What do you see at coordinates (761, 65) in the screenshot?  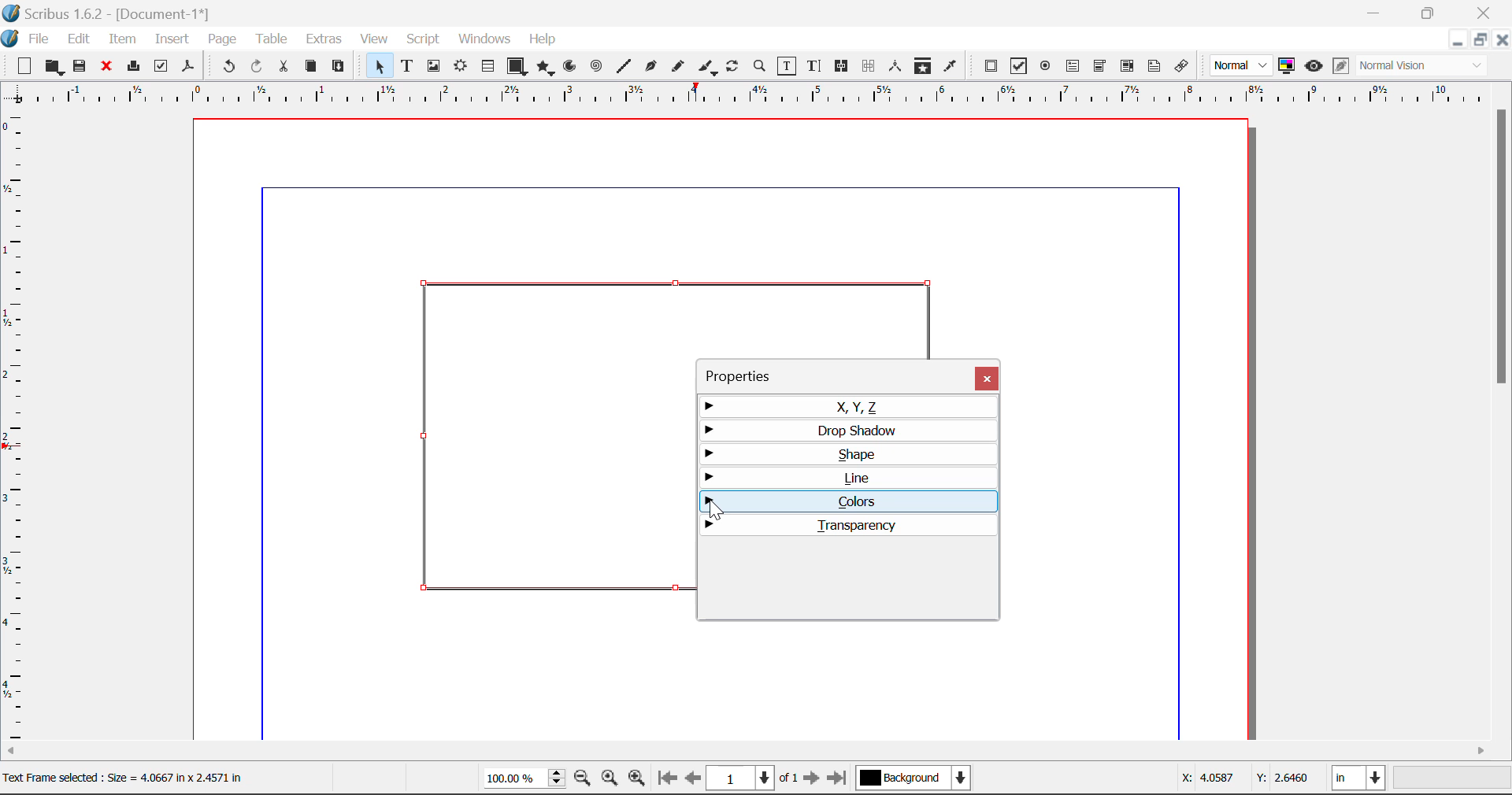 I see `Zoom` at bounding box center [761, 65].